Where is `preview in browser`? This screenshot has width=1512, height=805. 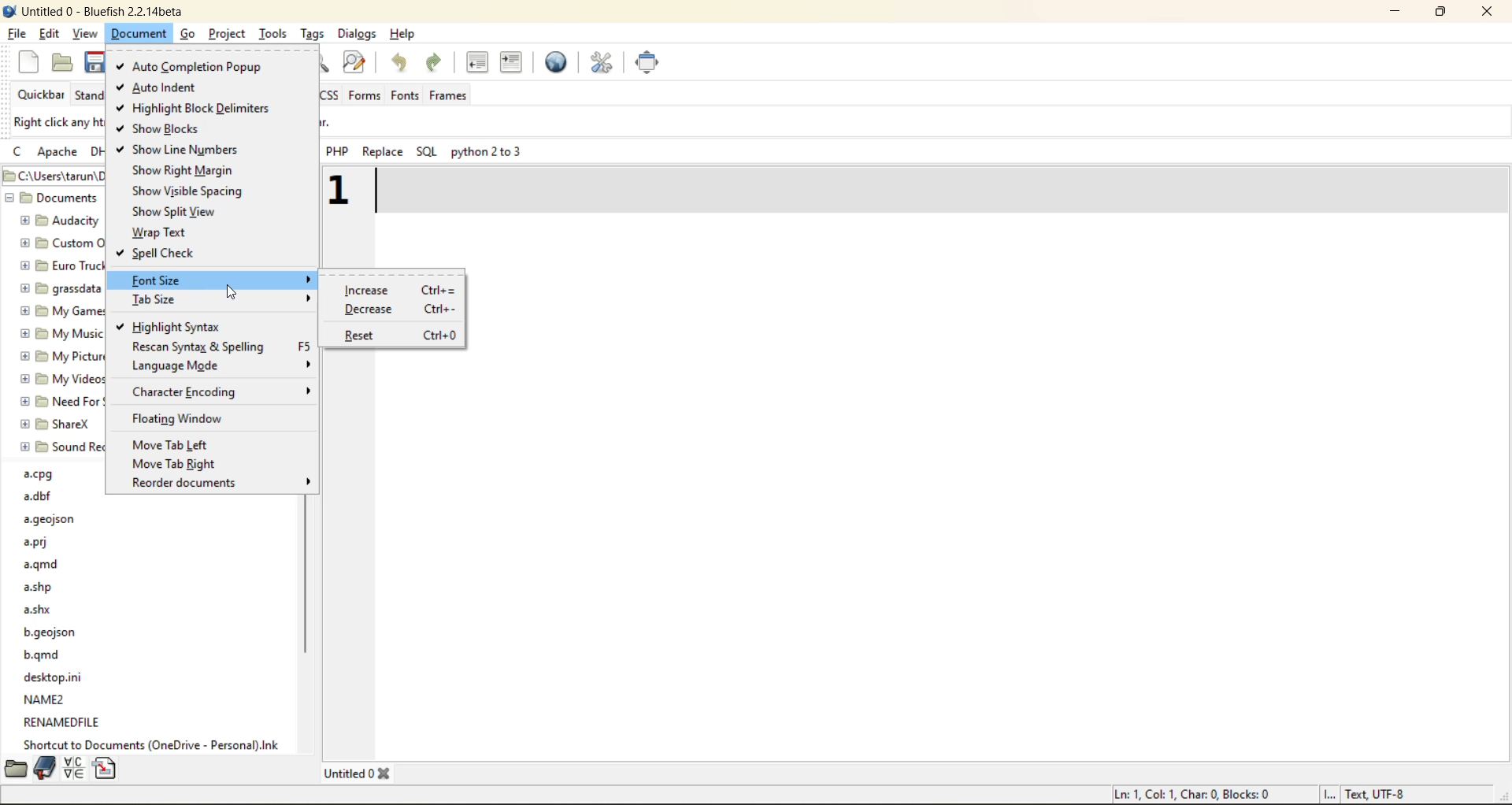 preview in browser is located at coordinates (558, 63).